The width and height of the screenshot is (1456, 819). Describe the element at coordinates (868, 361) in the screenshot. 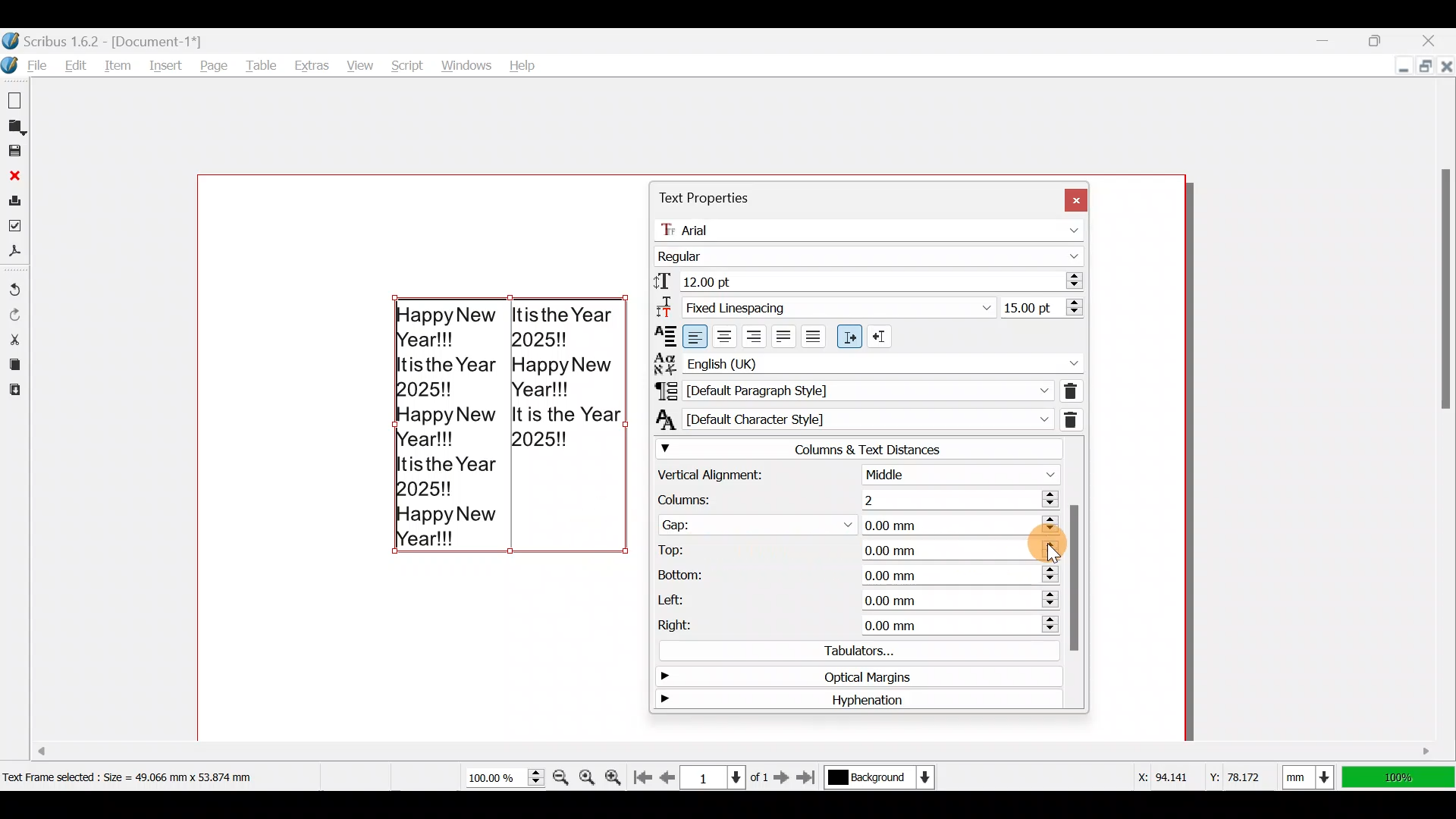

I see `Text language` at that location.